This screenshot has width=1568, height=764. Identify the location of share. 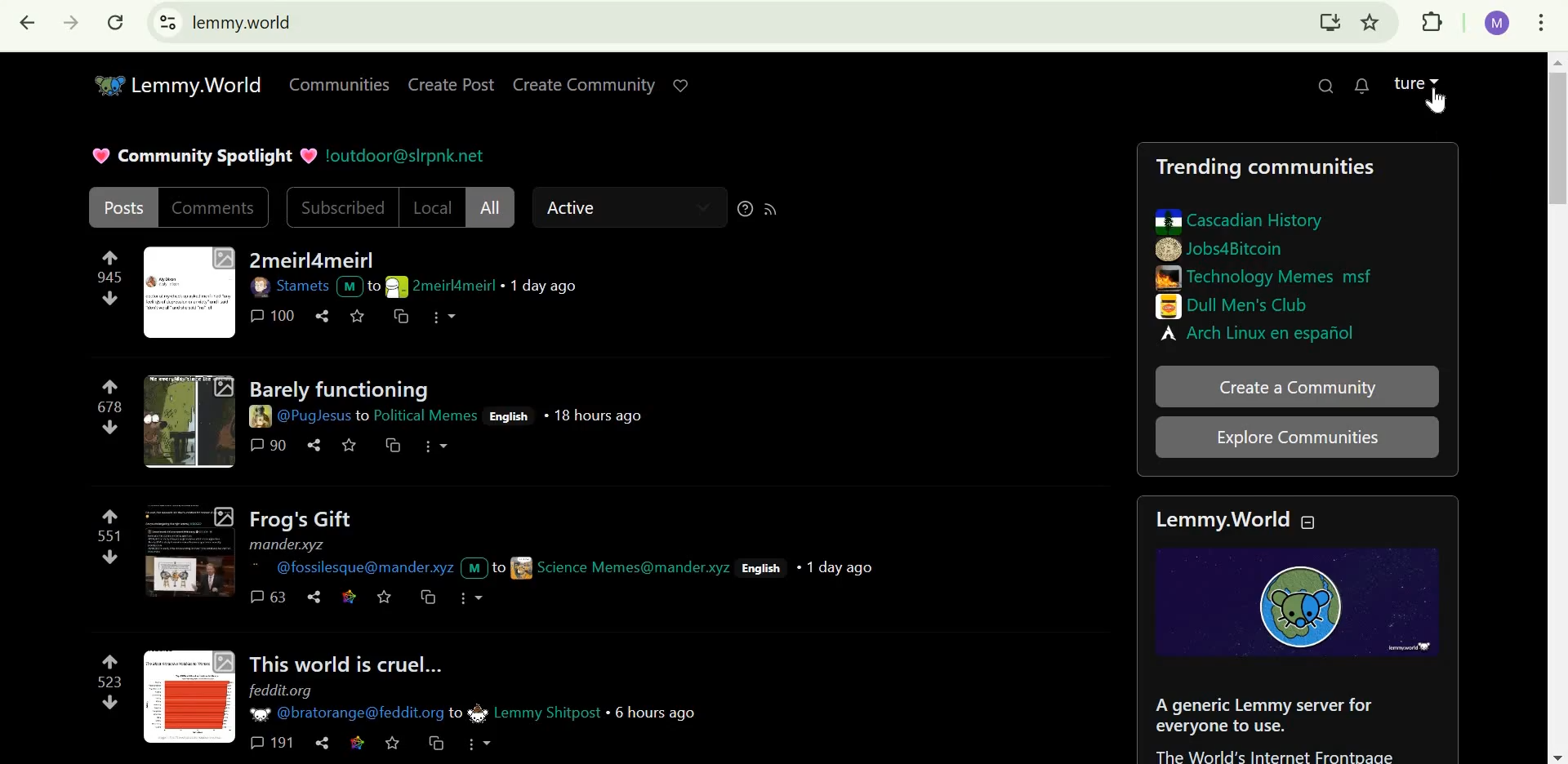
(313, 597).